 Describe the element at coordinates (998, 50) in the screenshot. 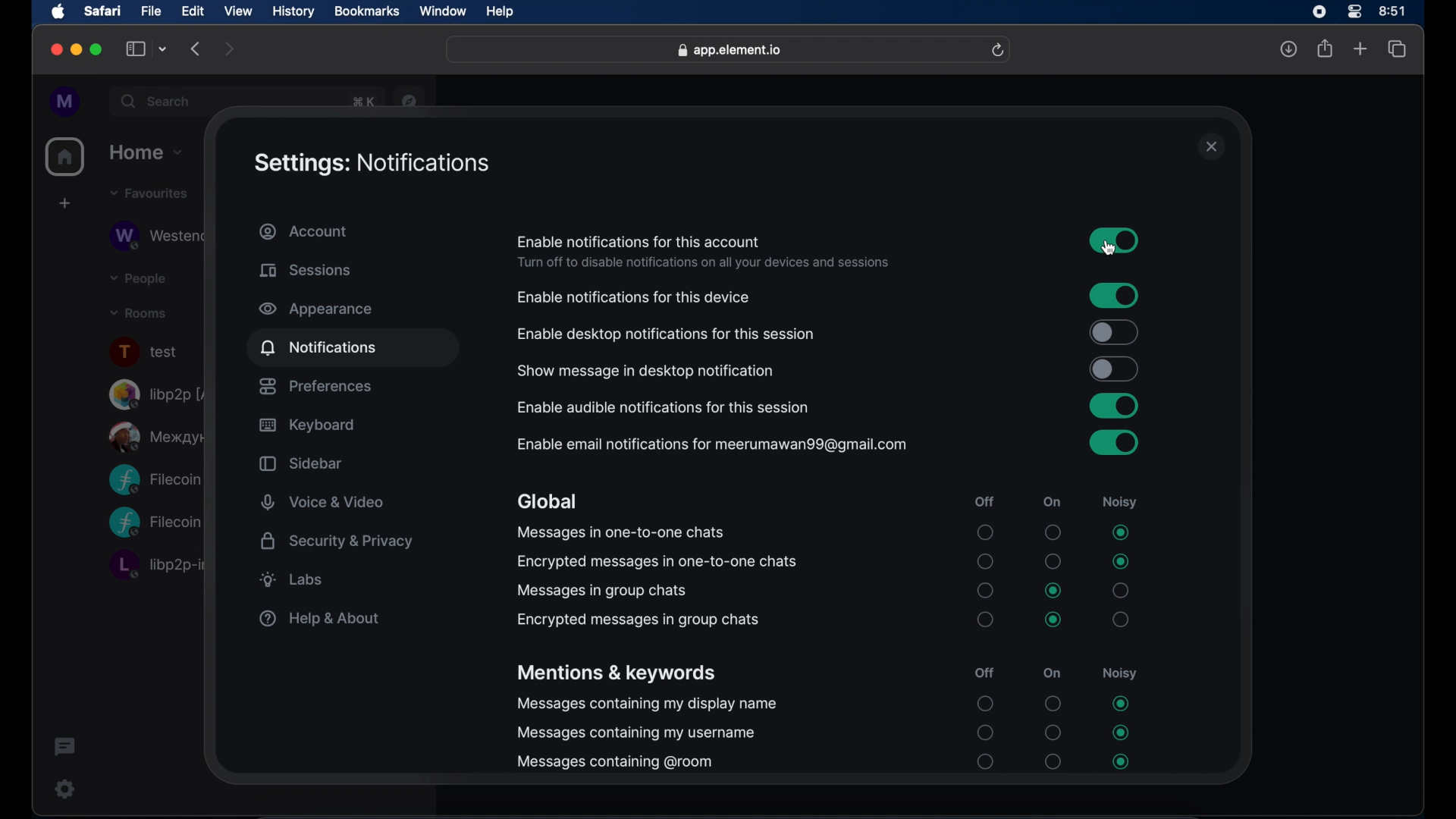

I see `refresh` at that location.